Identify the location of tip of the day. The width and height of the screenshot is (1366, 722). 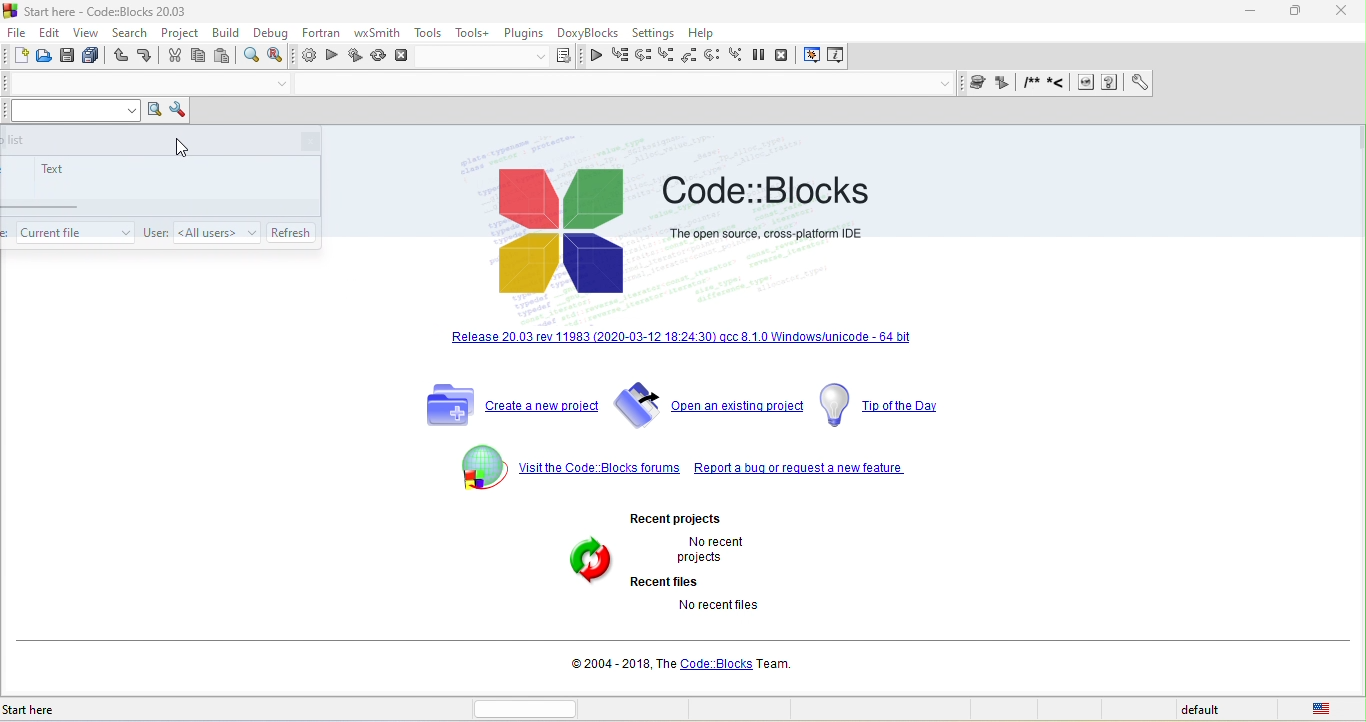
(886, 406).